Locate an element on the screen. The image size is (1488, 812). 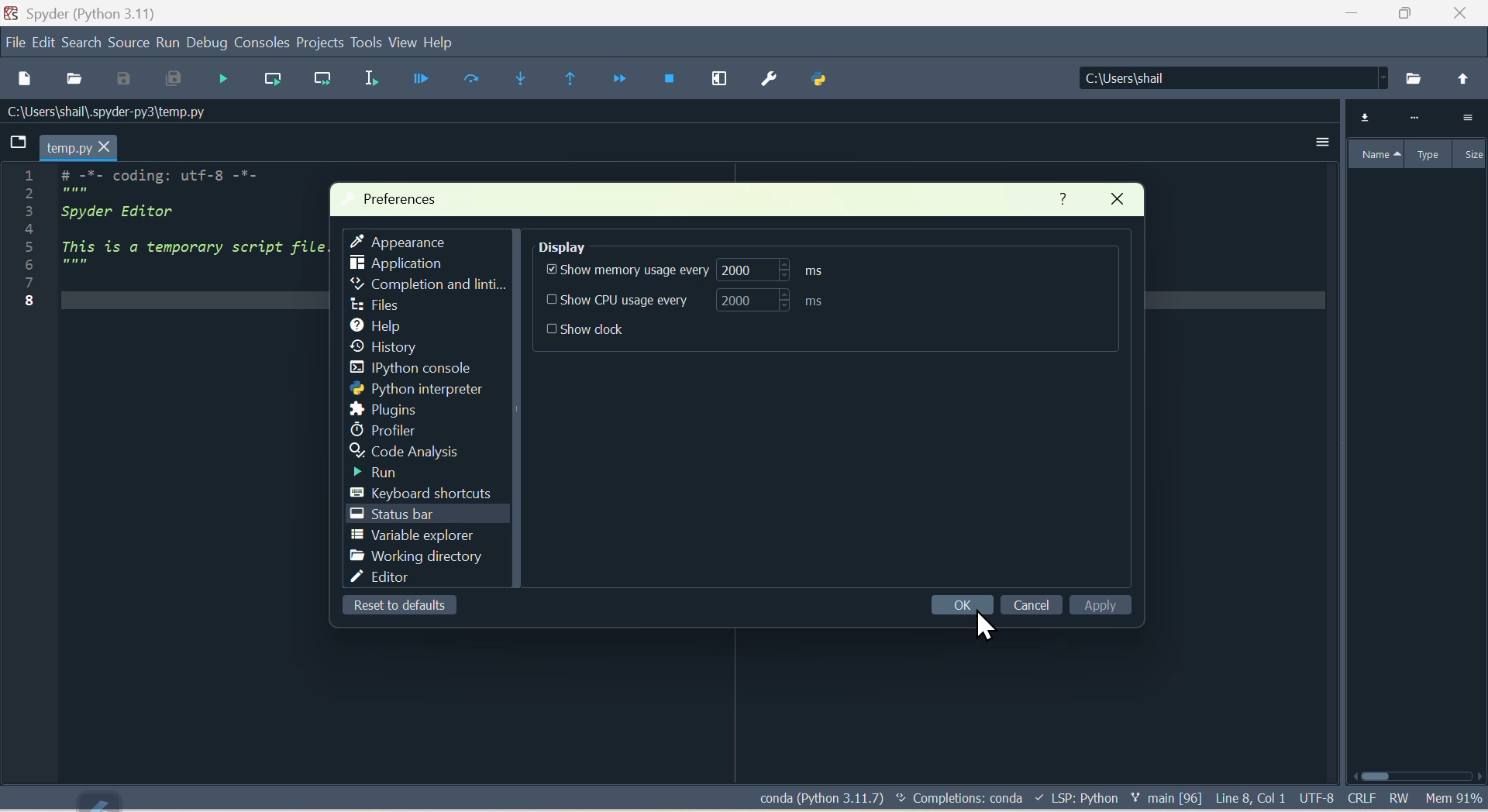
Cursor is located at coordinates (985, 623).